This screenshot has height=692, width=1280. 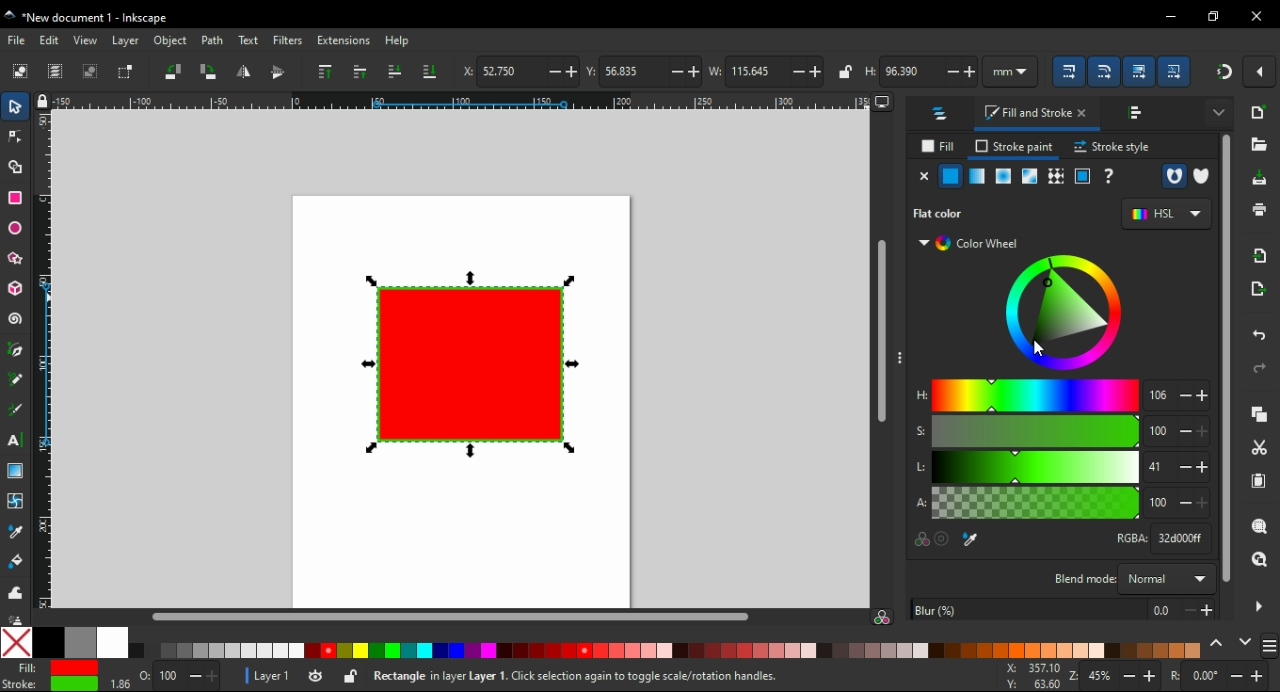 What do you see at coordinates (21, 73) in the screenshot?
I see `select all` at bounding box center [21, 73].